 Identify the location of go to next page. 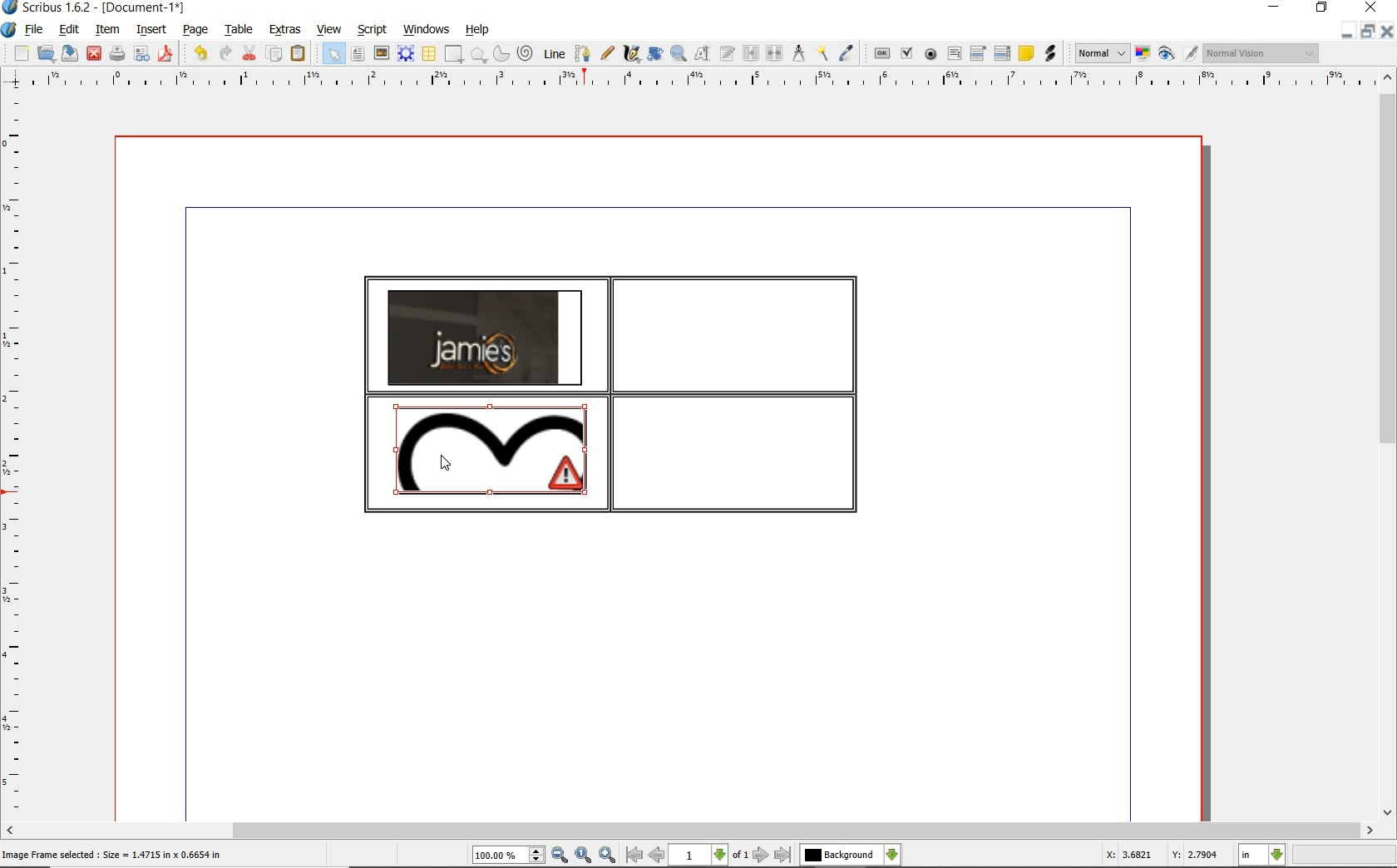
(761, 855).